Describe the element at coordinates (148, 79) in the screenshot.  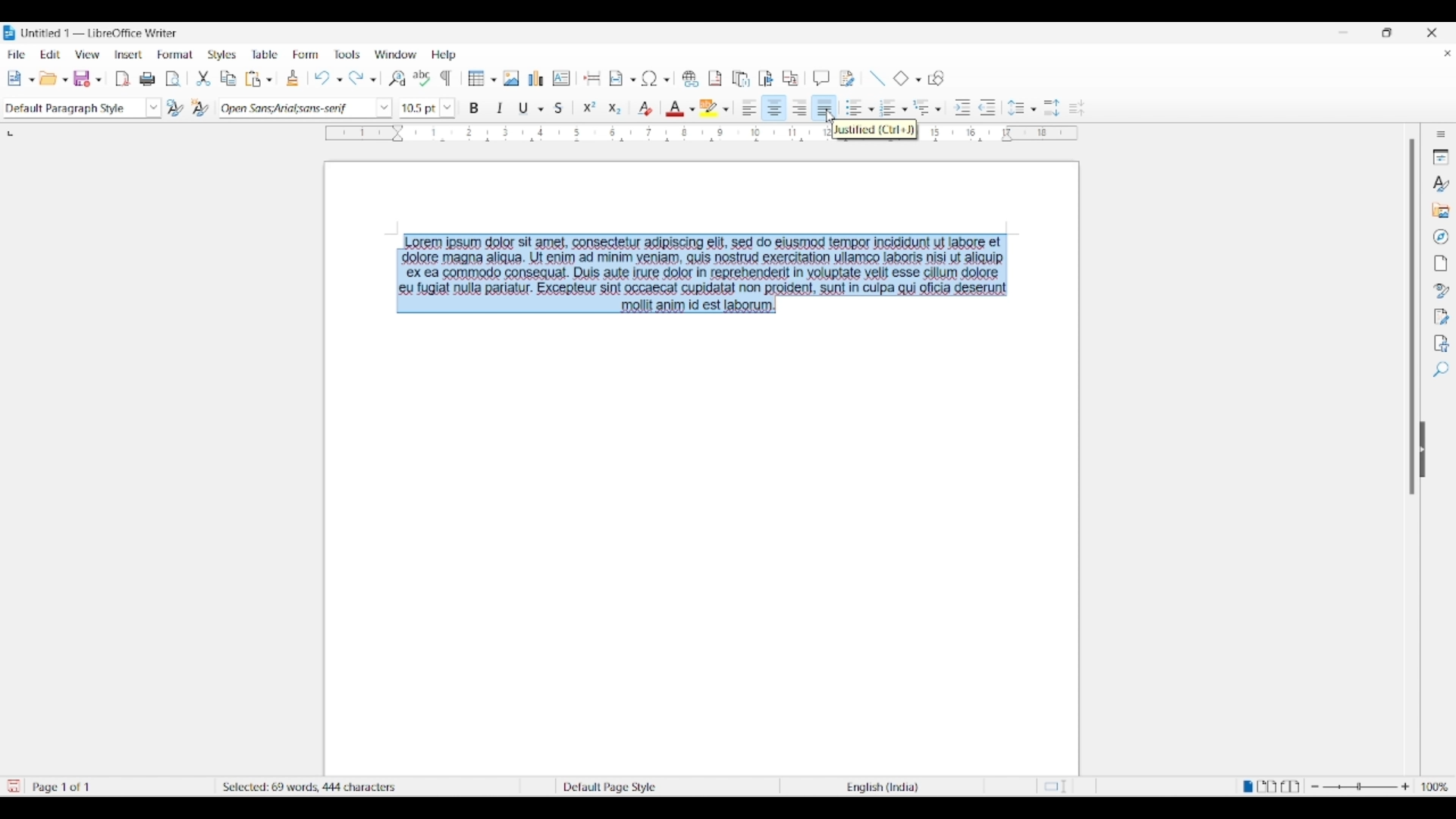
I see `Print` at that location.